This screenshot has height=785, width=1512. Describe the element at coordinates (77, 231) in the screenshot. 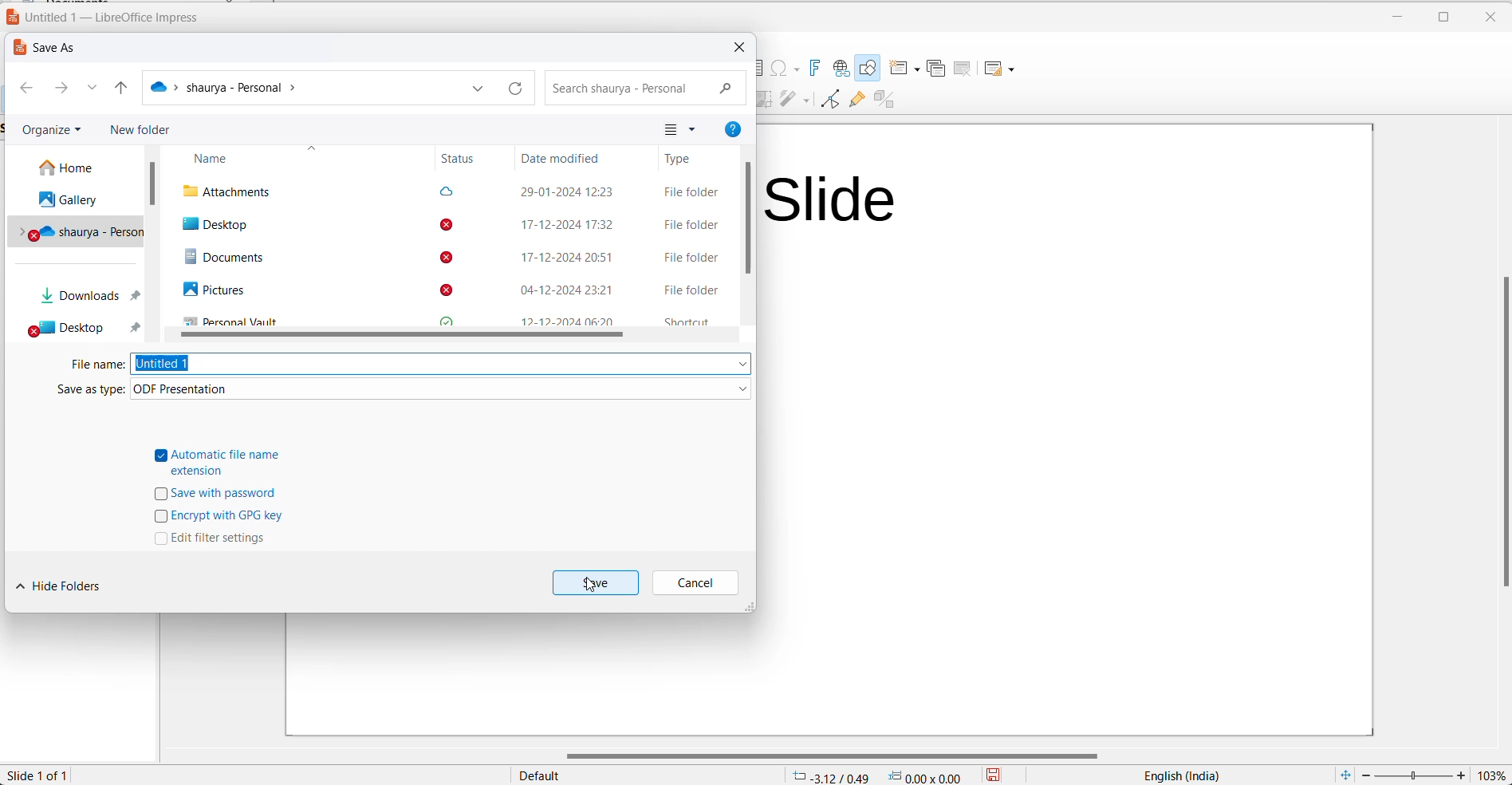

I see `personal drive` at that location.